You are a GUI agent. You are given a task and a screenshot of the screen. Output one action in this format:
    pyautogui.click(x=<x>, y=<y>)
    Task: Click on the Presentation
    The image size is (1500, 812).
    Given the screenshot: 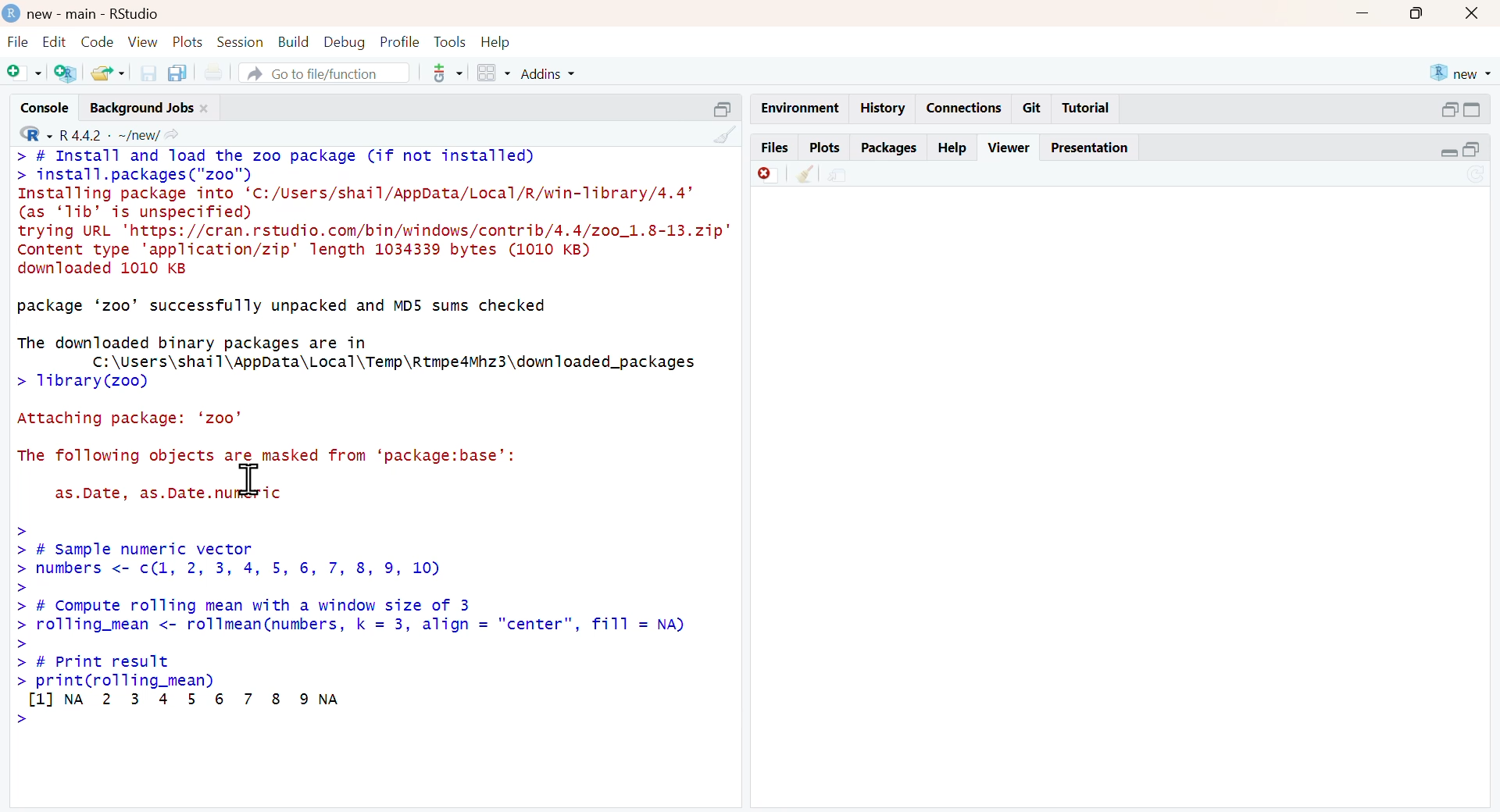 What is the action you would take?
    pyautogui.click(x=1090, y=148)
    